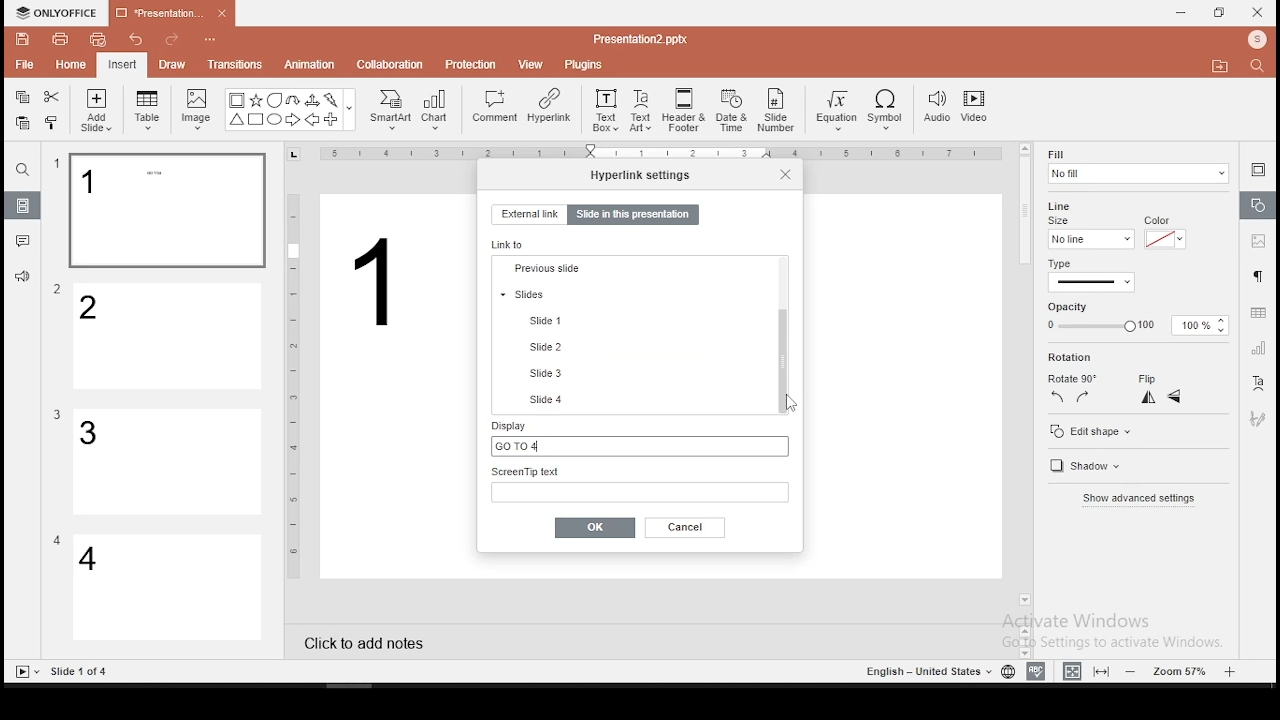  I want to click on , so click(1253, 418).